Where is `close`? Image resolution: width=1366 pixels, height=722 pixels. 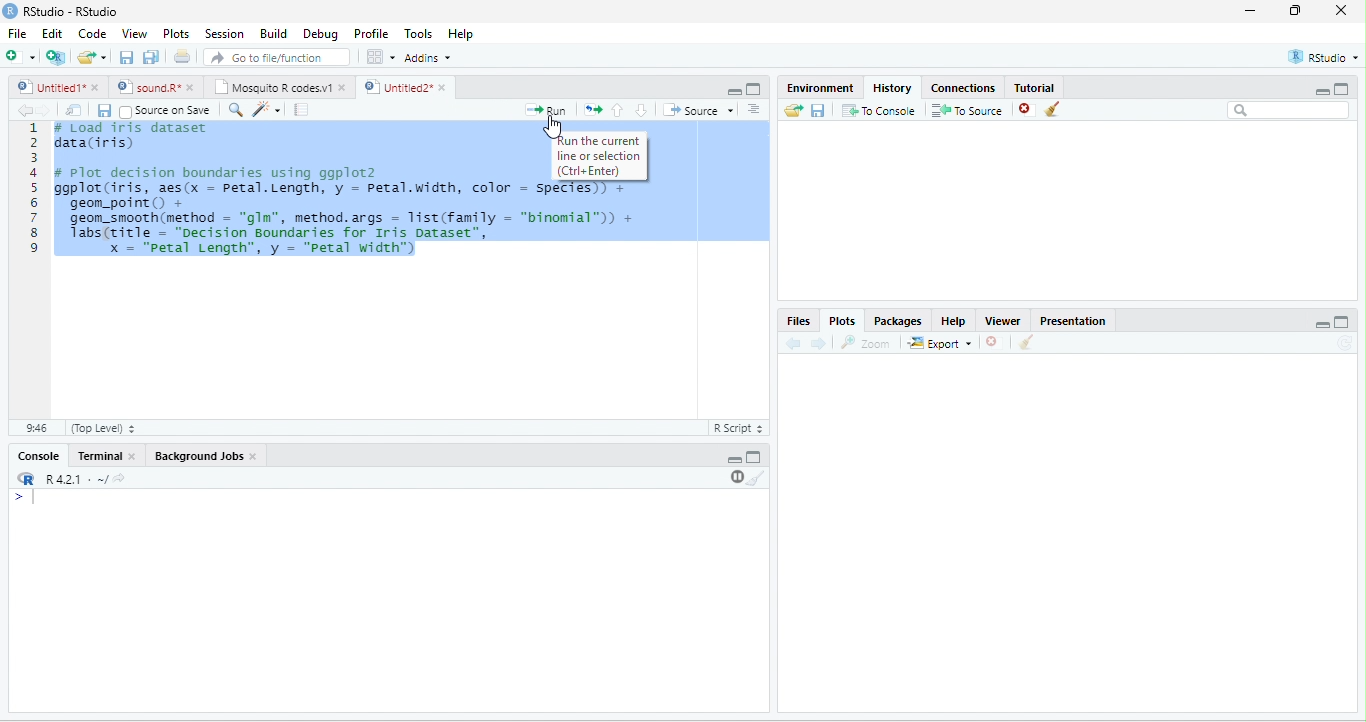
close is located at coordinates (254, 456).